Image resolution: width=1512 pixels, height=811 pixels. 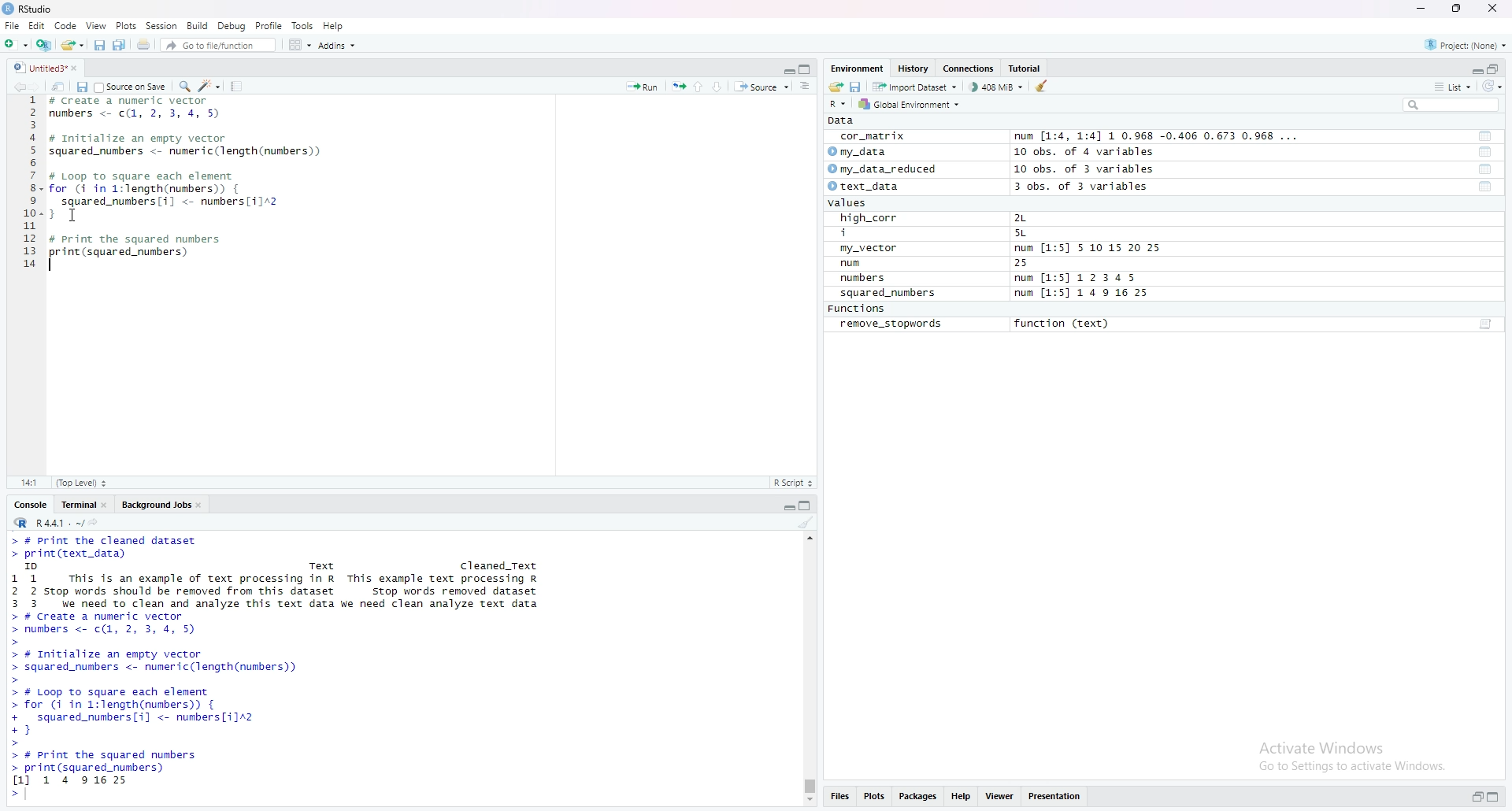 What do you see at coordinates (334, 25) in the screenshot?
I see `Help` at bounding box center [334, 25].